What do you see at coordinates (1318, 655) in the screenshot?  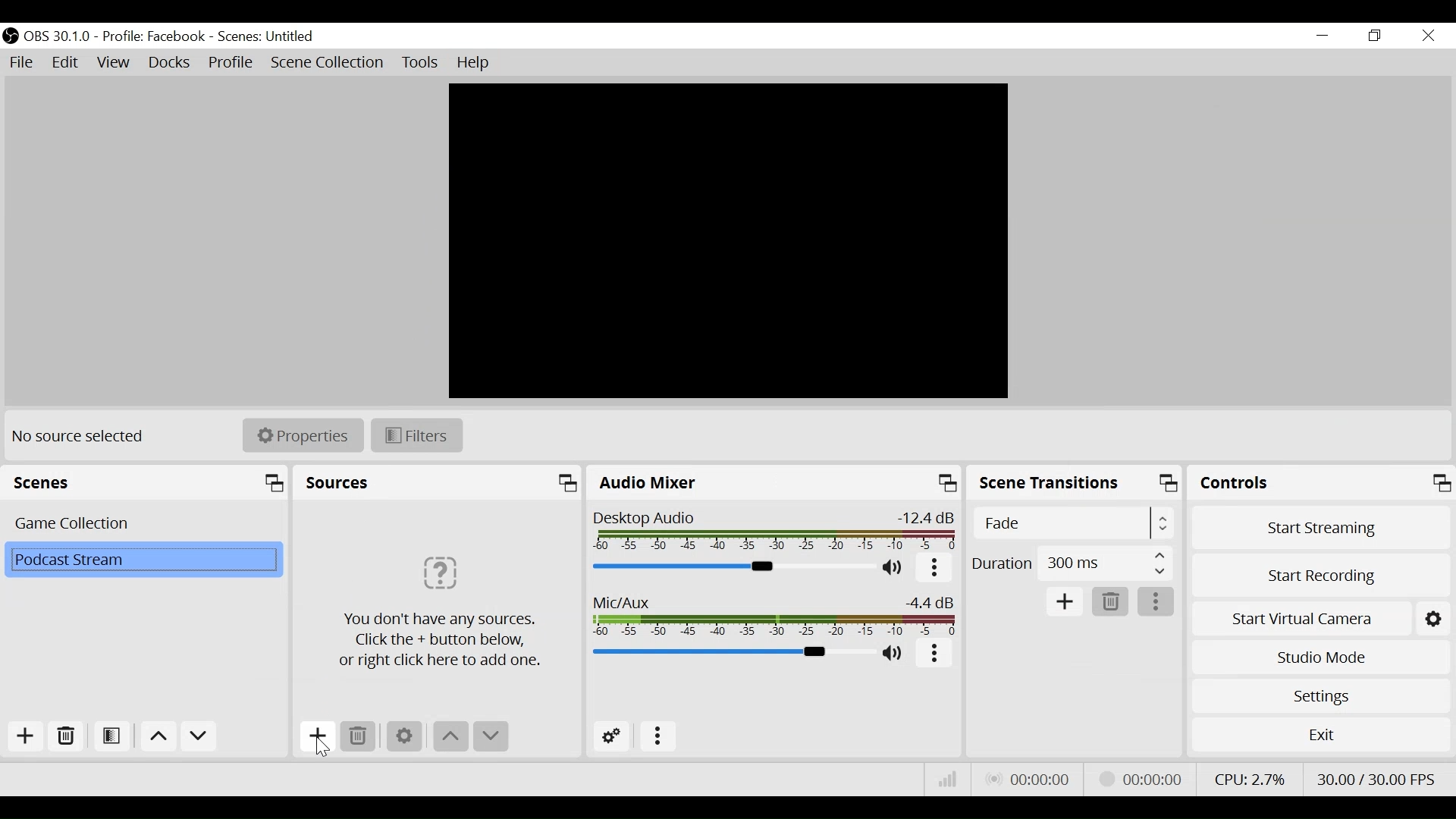 I see `Studio Mode` at bounding box center [1318, 655].